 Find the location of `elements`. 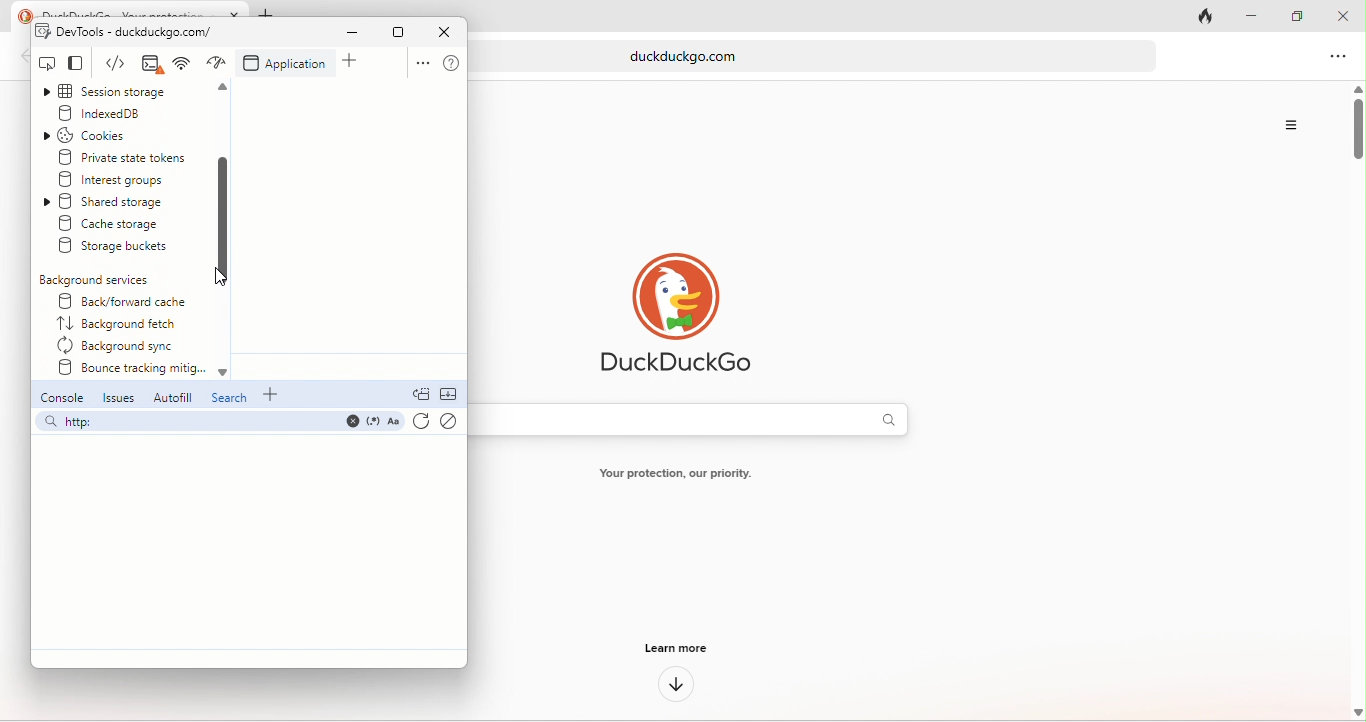

elements is located at coordinates (148, 65).